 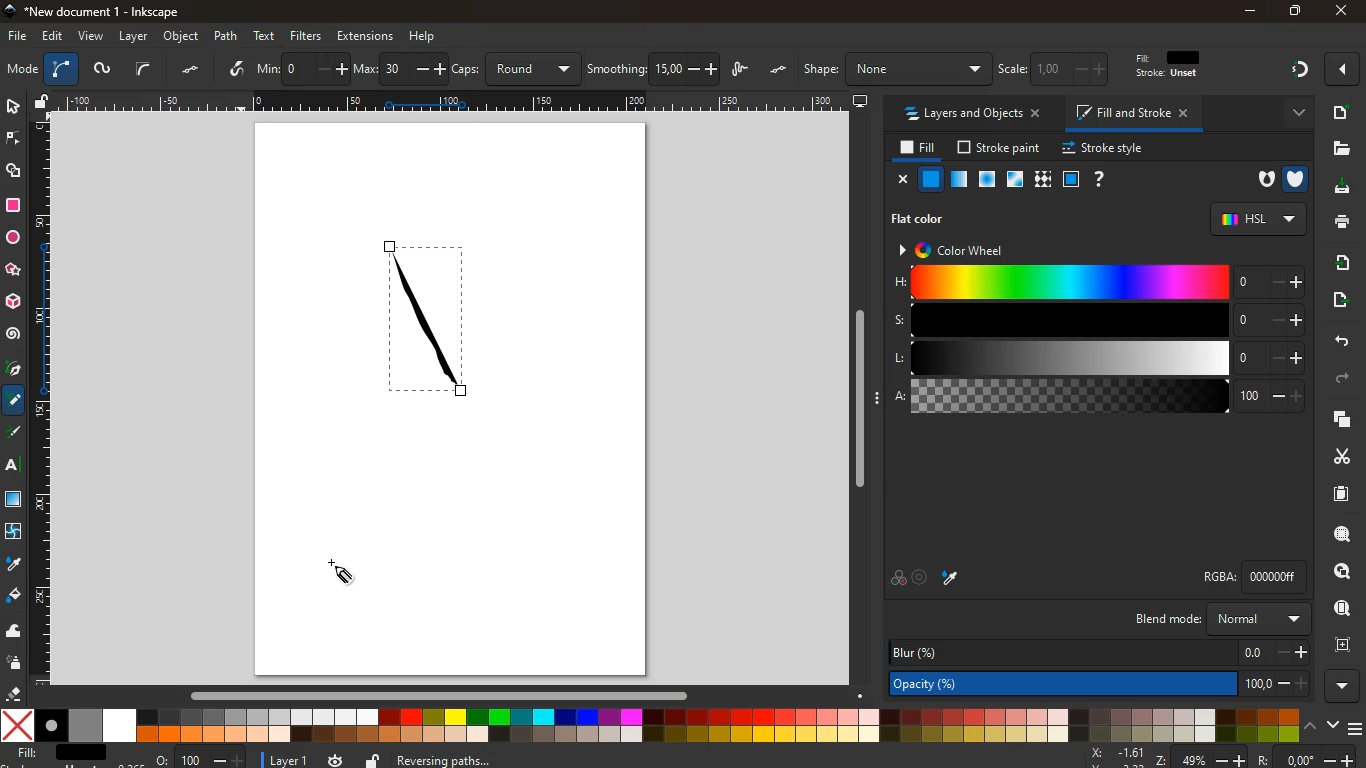 I want to click on fill, so click(x=1177, y=65).